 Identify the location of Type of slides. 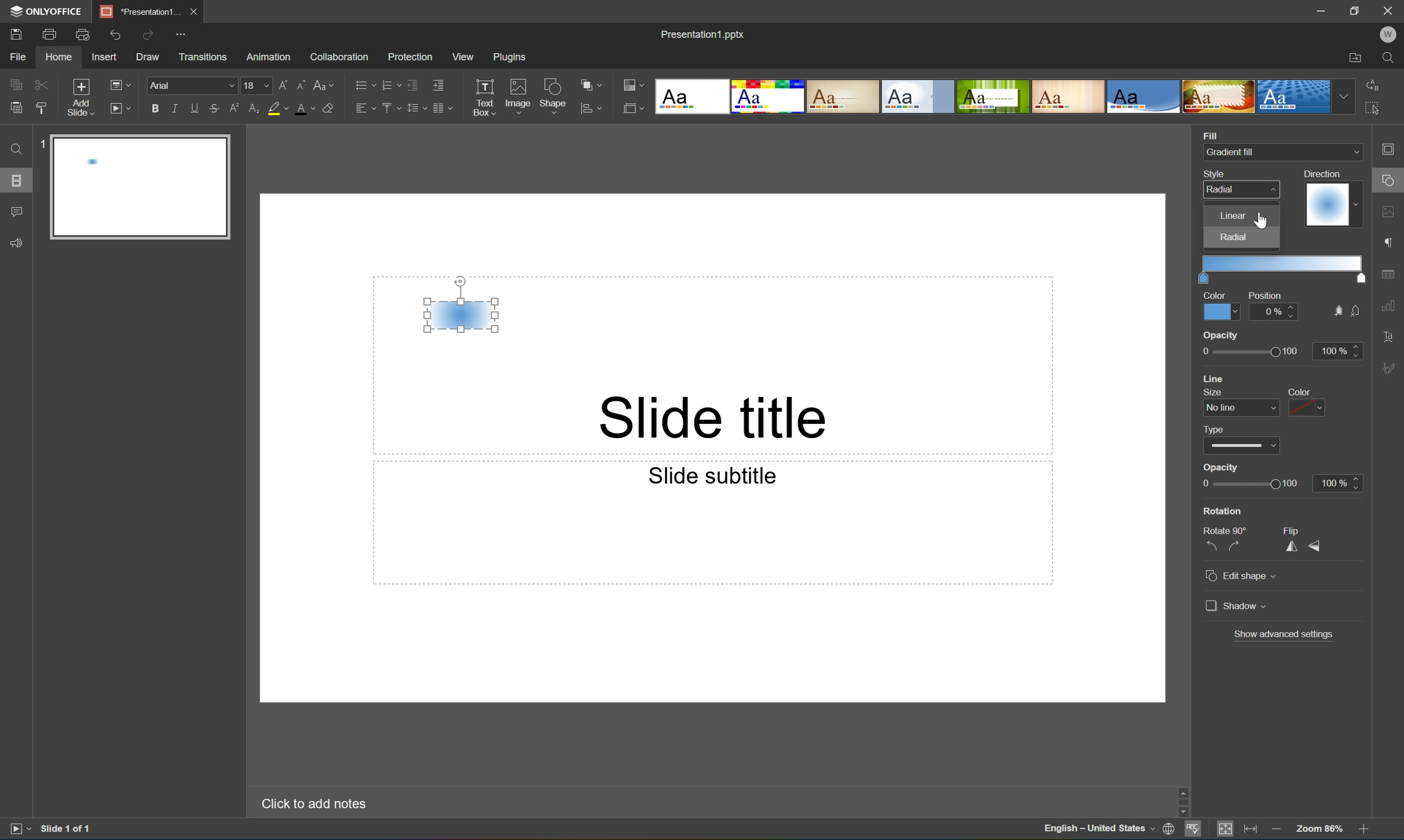
(992, 97).